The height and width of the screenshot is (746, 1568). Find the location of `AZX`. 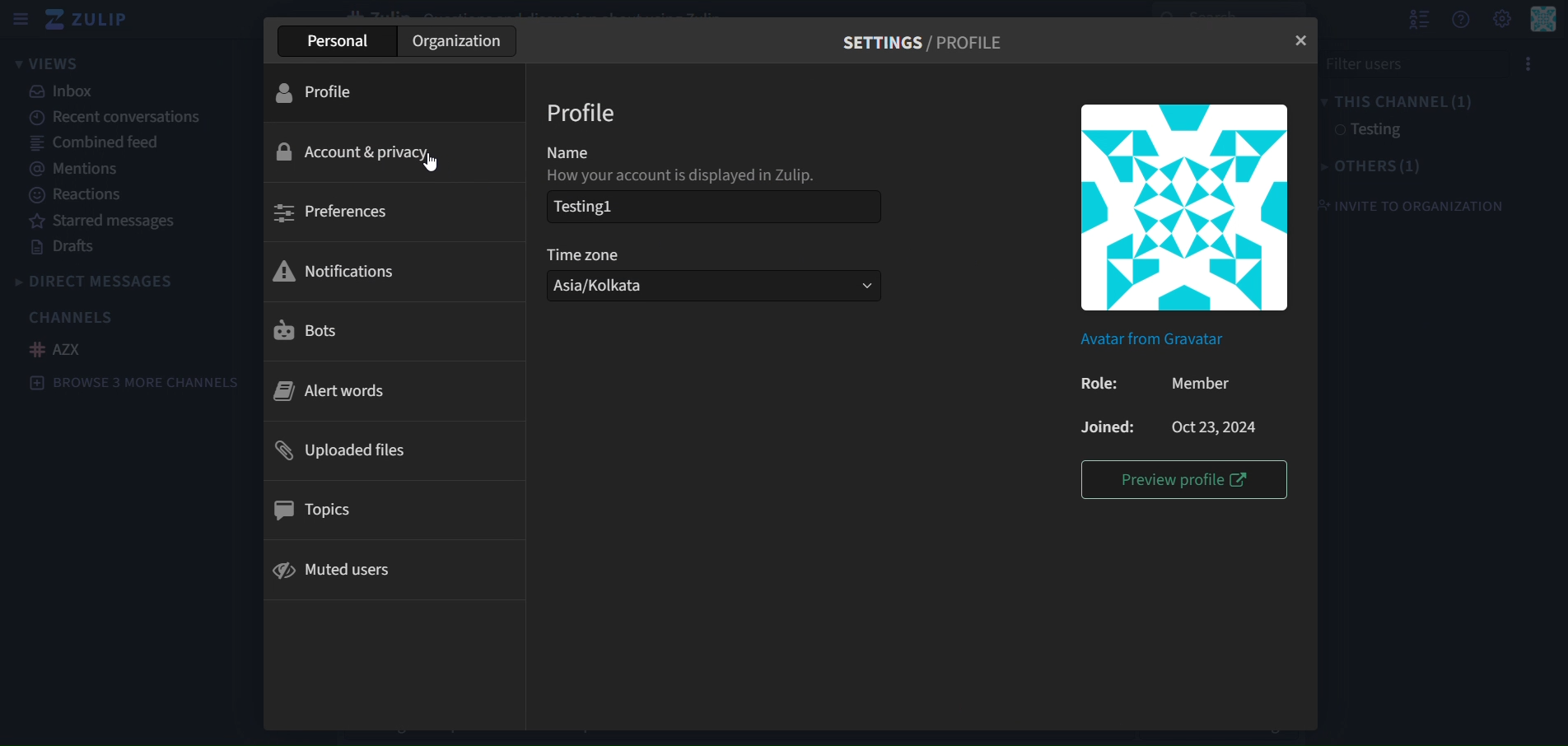

AZX is located at coordinates (62, 350).